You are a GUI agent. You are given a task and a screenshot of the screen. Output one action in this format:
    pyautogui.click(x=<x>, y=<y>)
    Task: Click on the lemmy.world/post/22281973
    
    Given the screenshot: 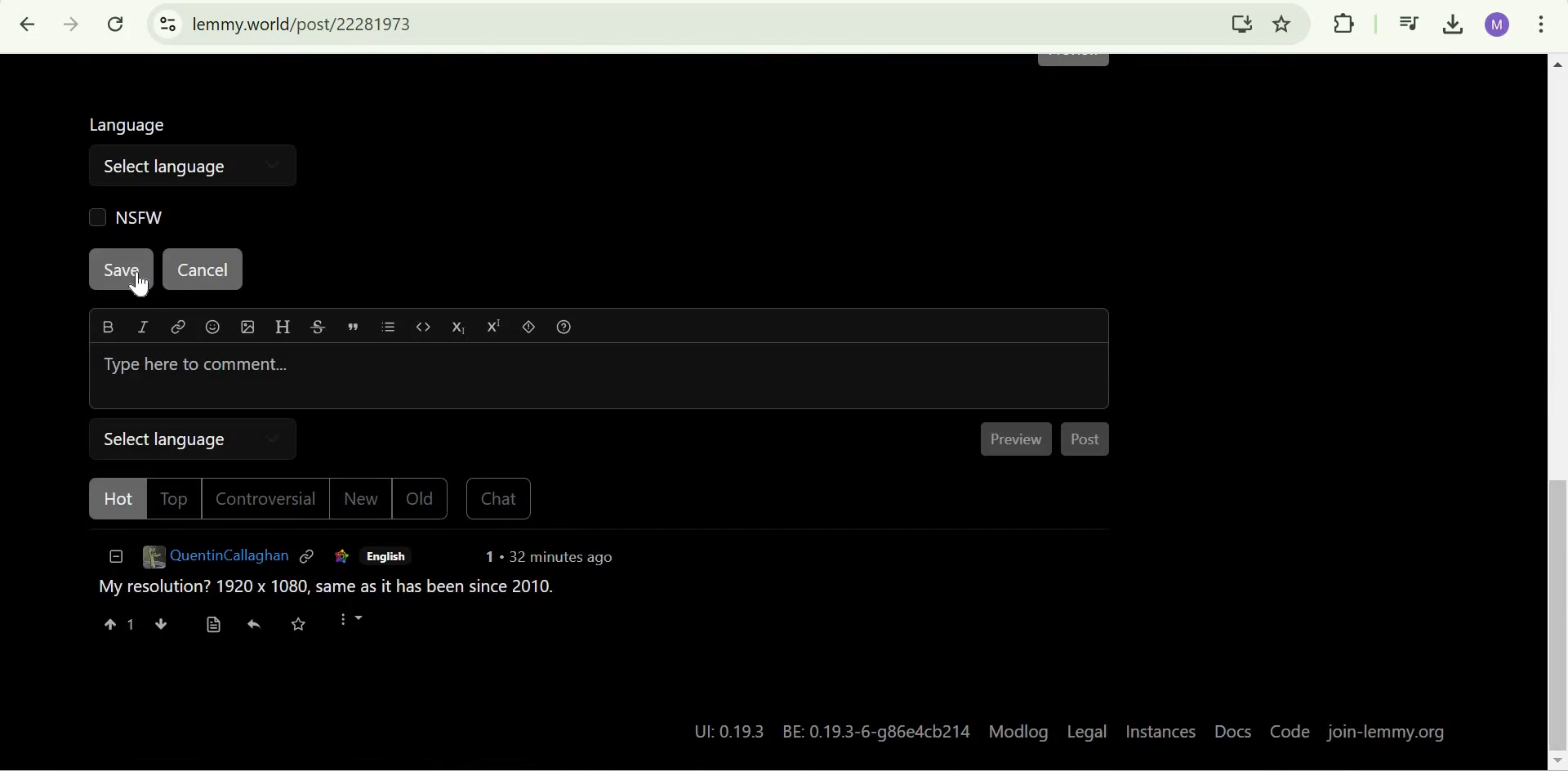 What is the action you would take?
    pyautogui.click(x=305, y=24)
    